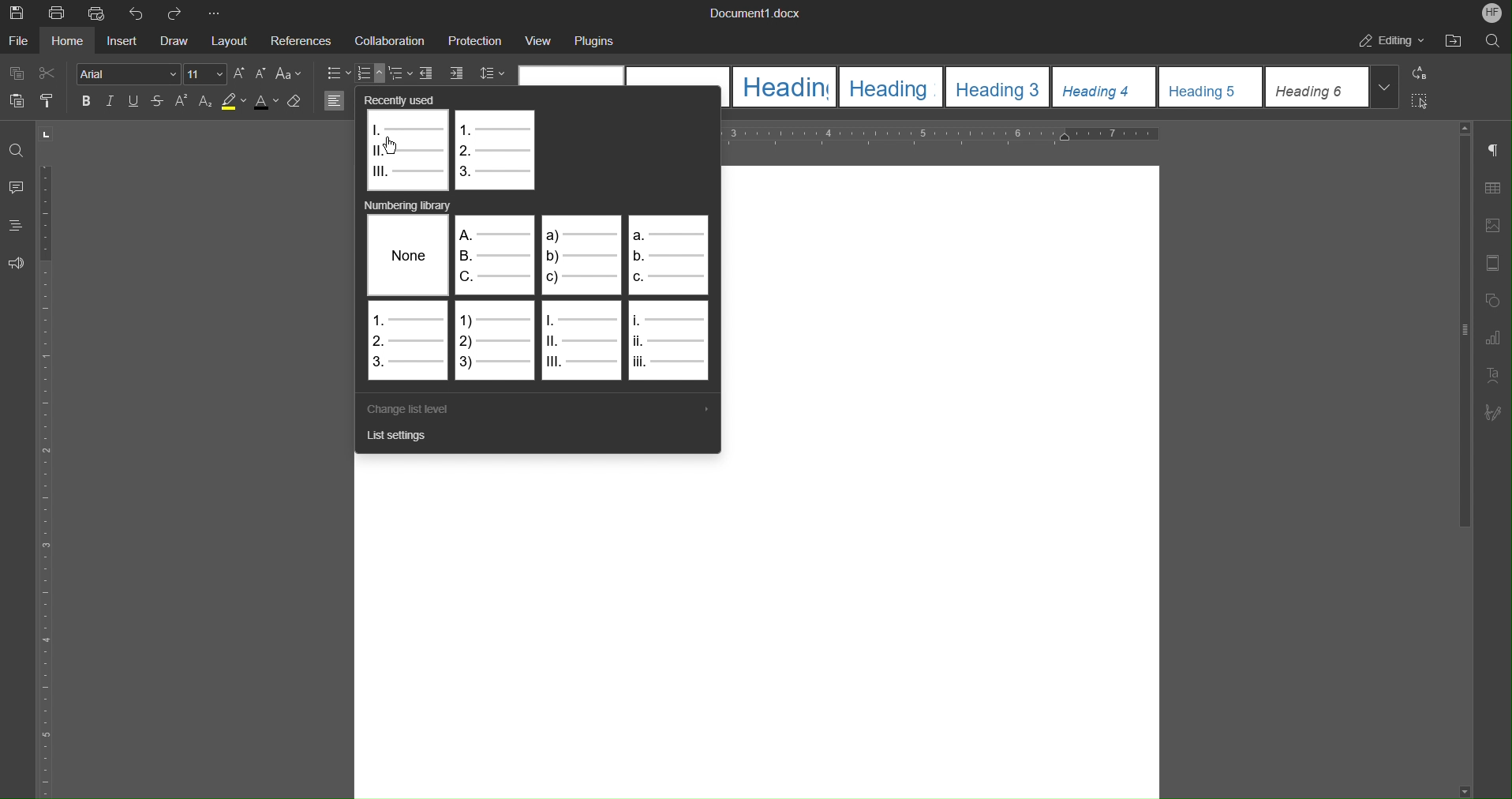 The image size is (1512, 799). Describe the element at coordinates (214, 13) in the screenshot. I see `More` at that location.